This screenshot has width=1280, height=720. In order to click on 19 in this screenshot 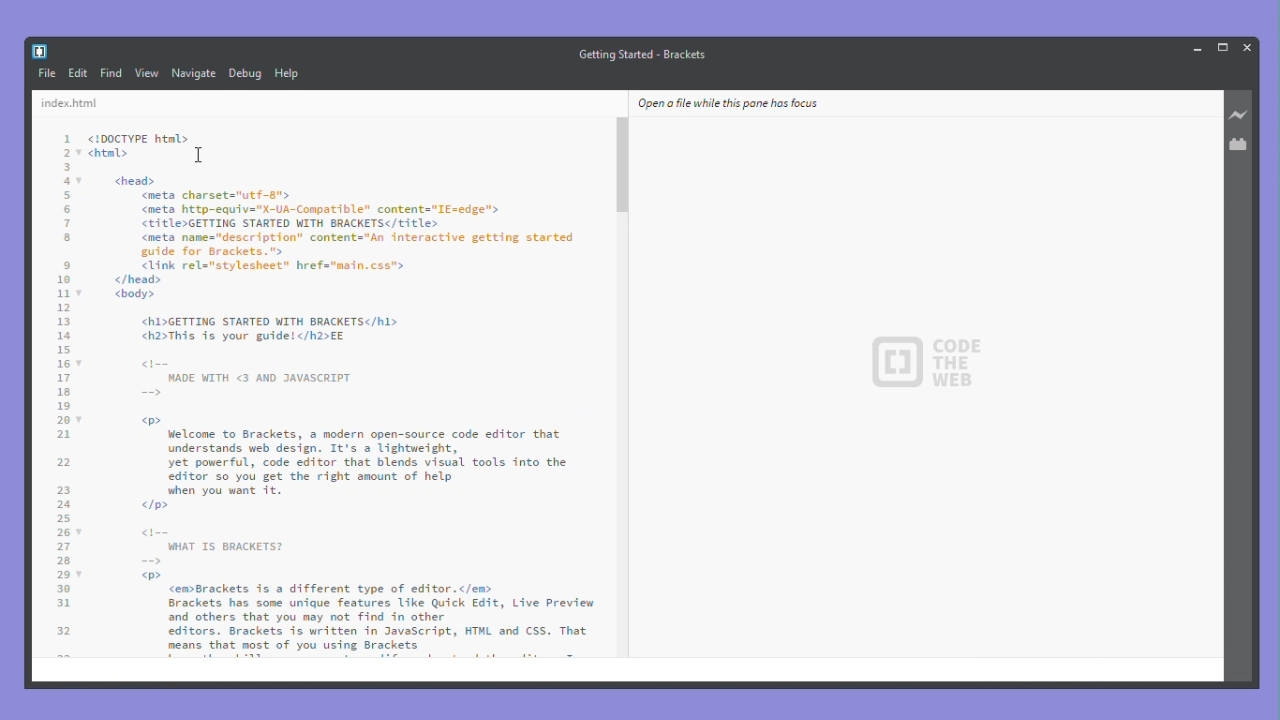, I will do `click(63, 407)`.